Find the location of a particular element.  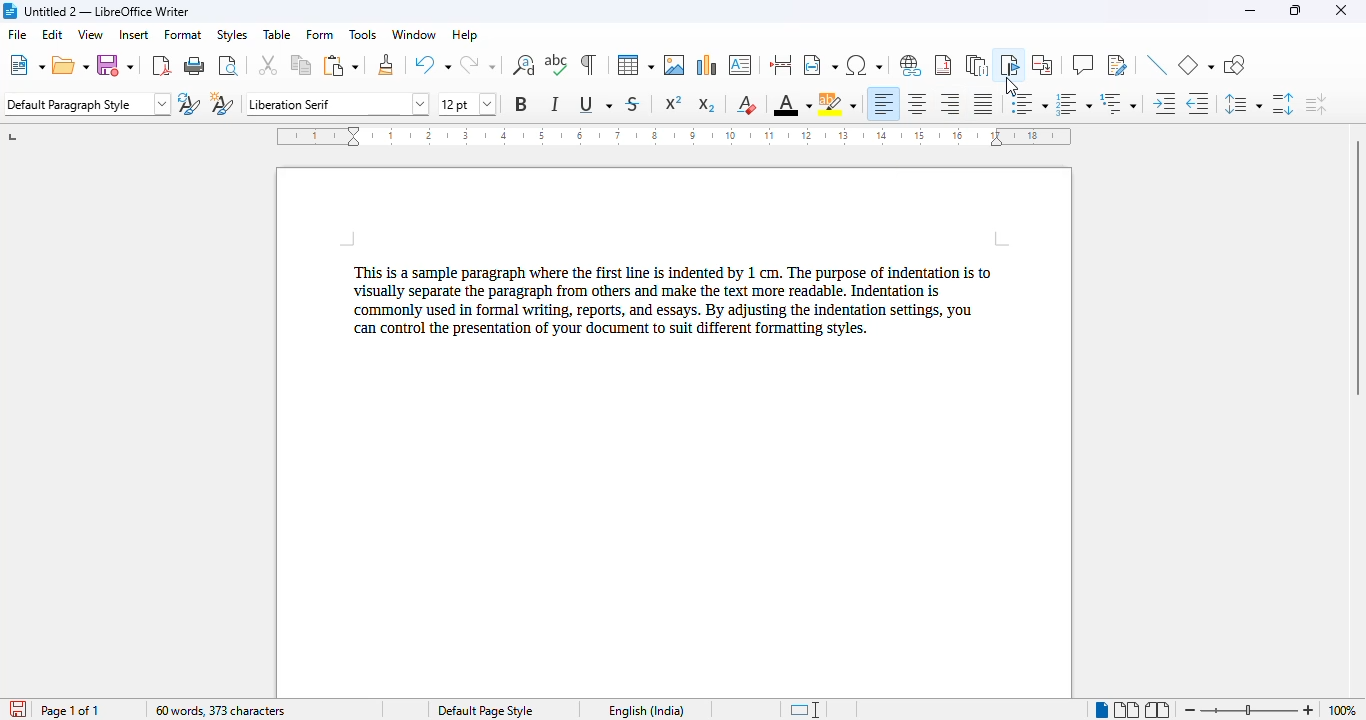

cursor is located at coordinates (1011, 87).